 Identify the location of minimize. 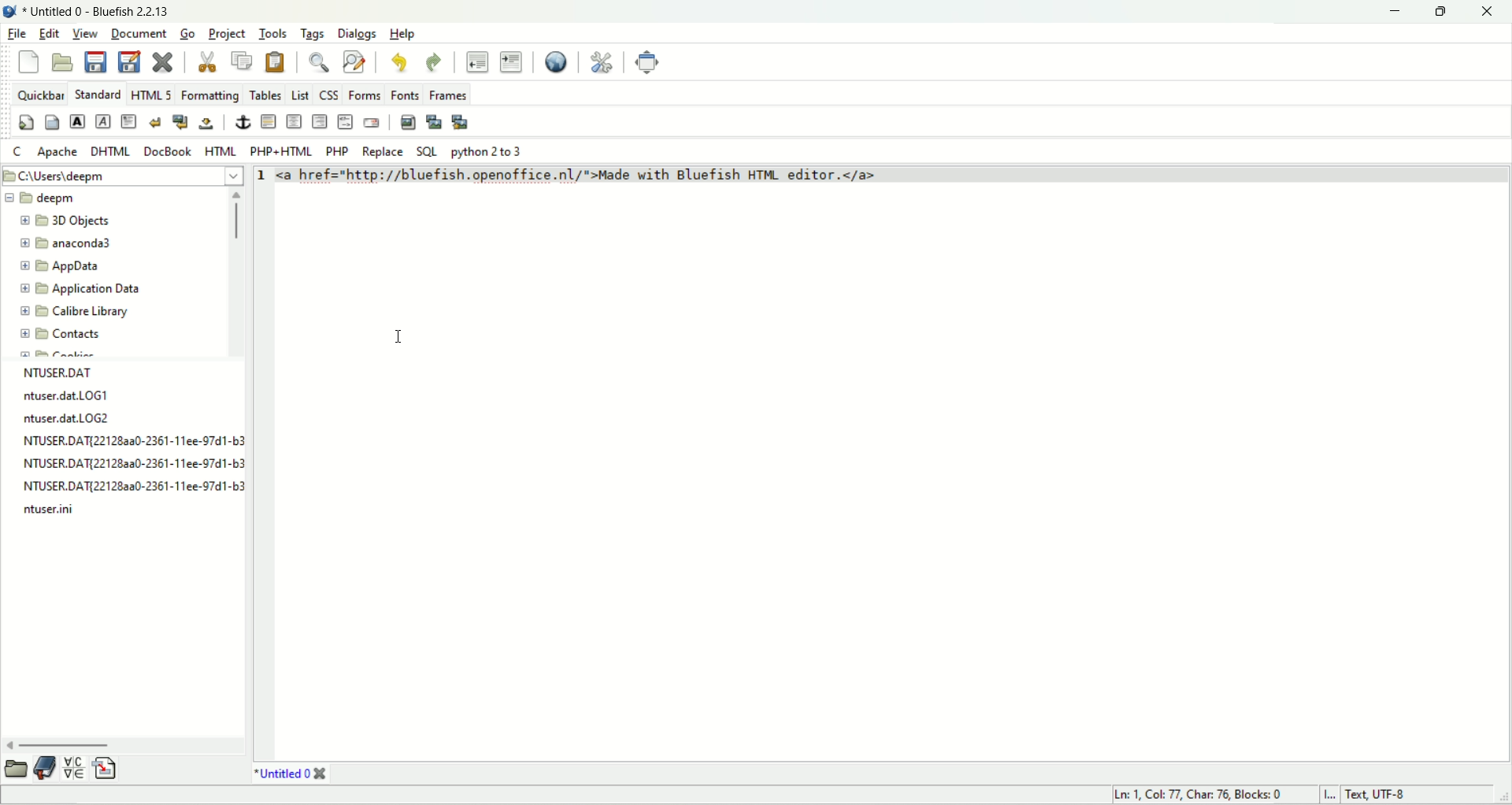
(1395, 12).